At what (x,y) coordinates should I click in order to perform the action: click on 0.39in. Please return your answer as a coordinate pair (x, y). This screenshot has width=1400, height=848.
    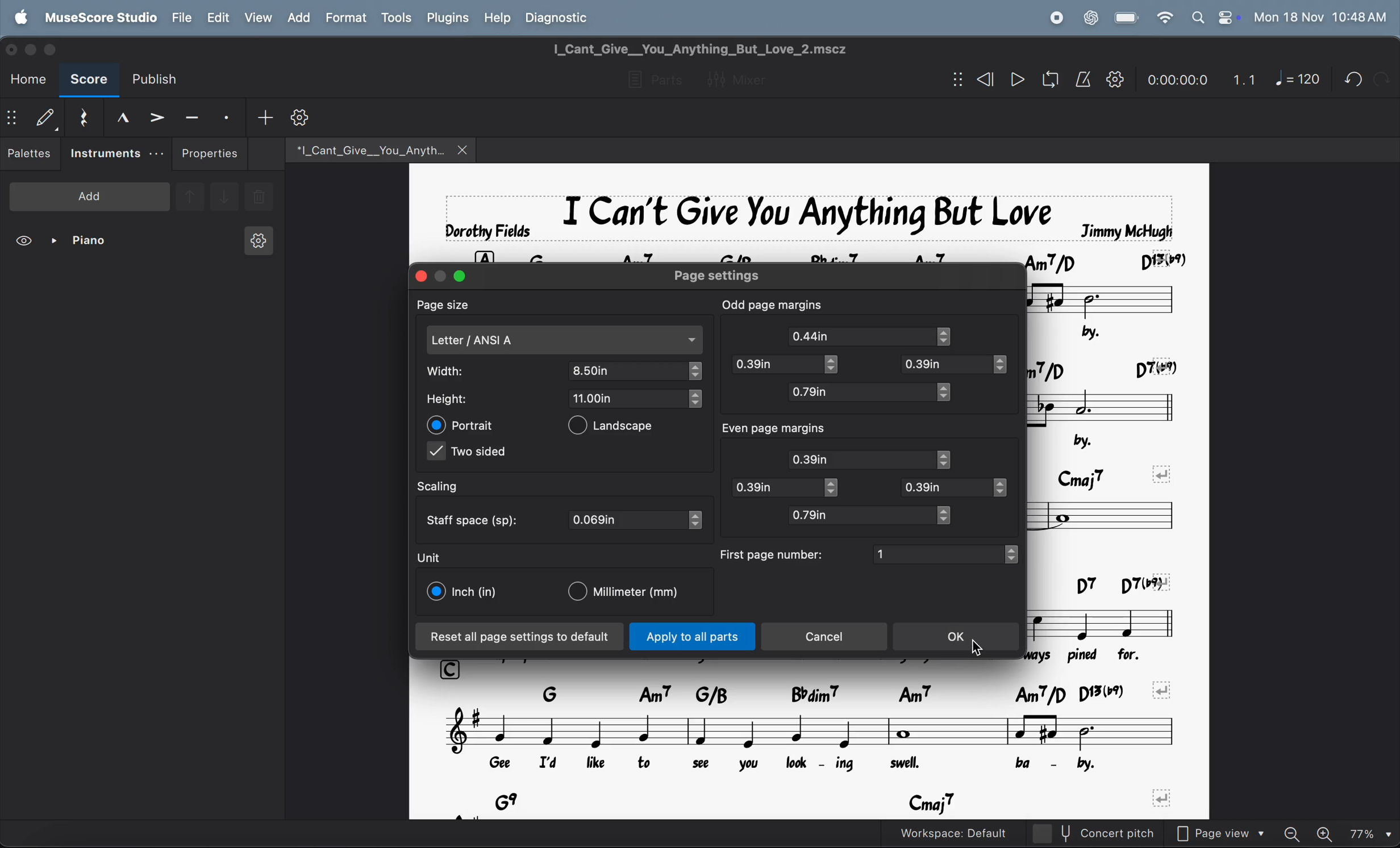
    Looking at the image, I should click on (862, 459).